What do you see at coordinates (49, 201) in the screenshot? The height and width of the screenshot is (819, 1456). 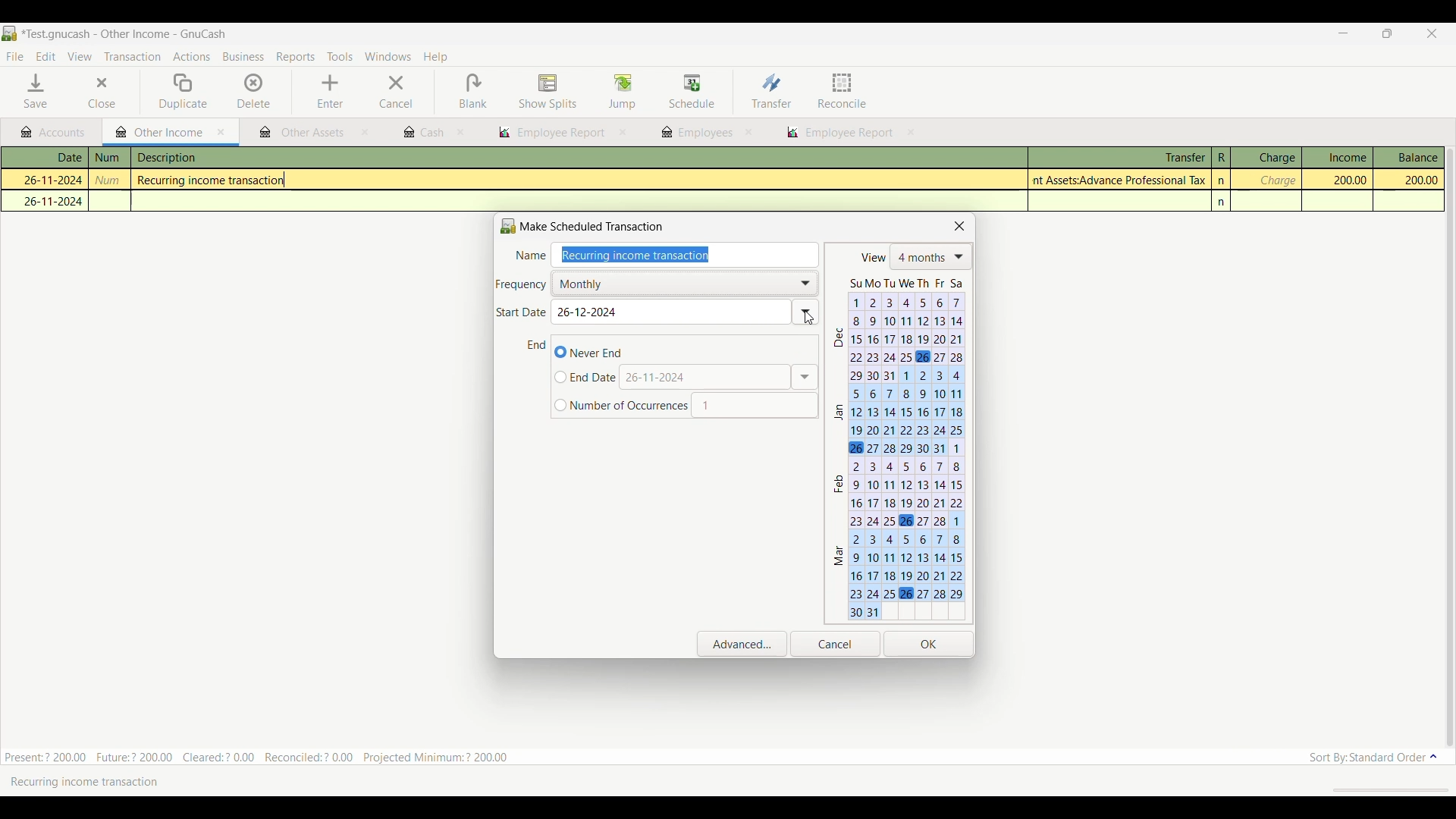 I see `26-11-2024` at bounding box center [49, 201].